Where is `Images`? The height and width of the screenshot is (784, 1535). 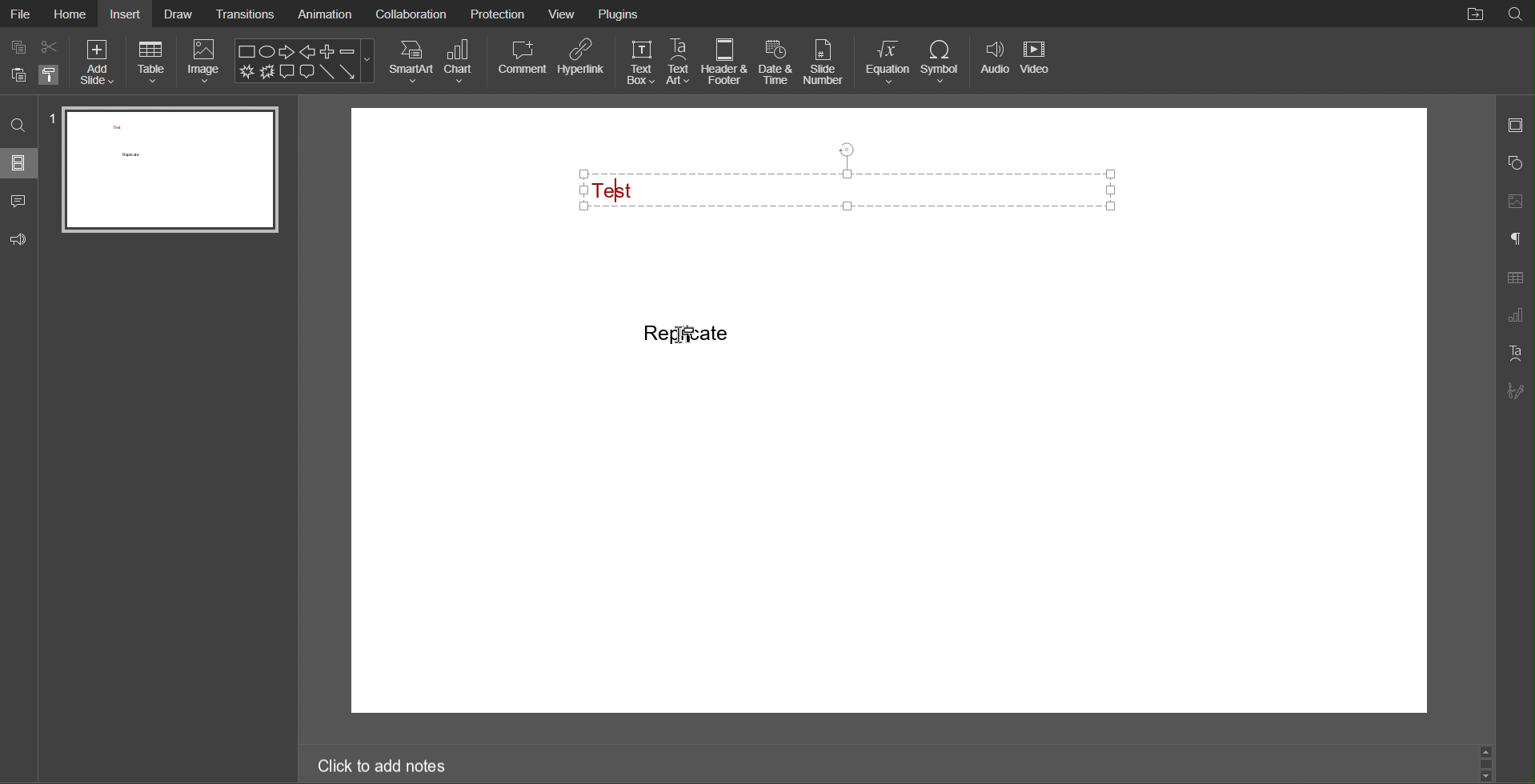 Images is located at coordinates (1515, 198).